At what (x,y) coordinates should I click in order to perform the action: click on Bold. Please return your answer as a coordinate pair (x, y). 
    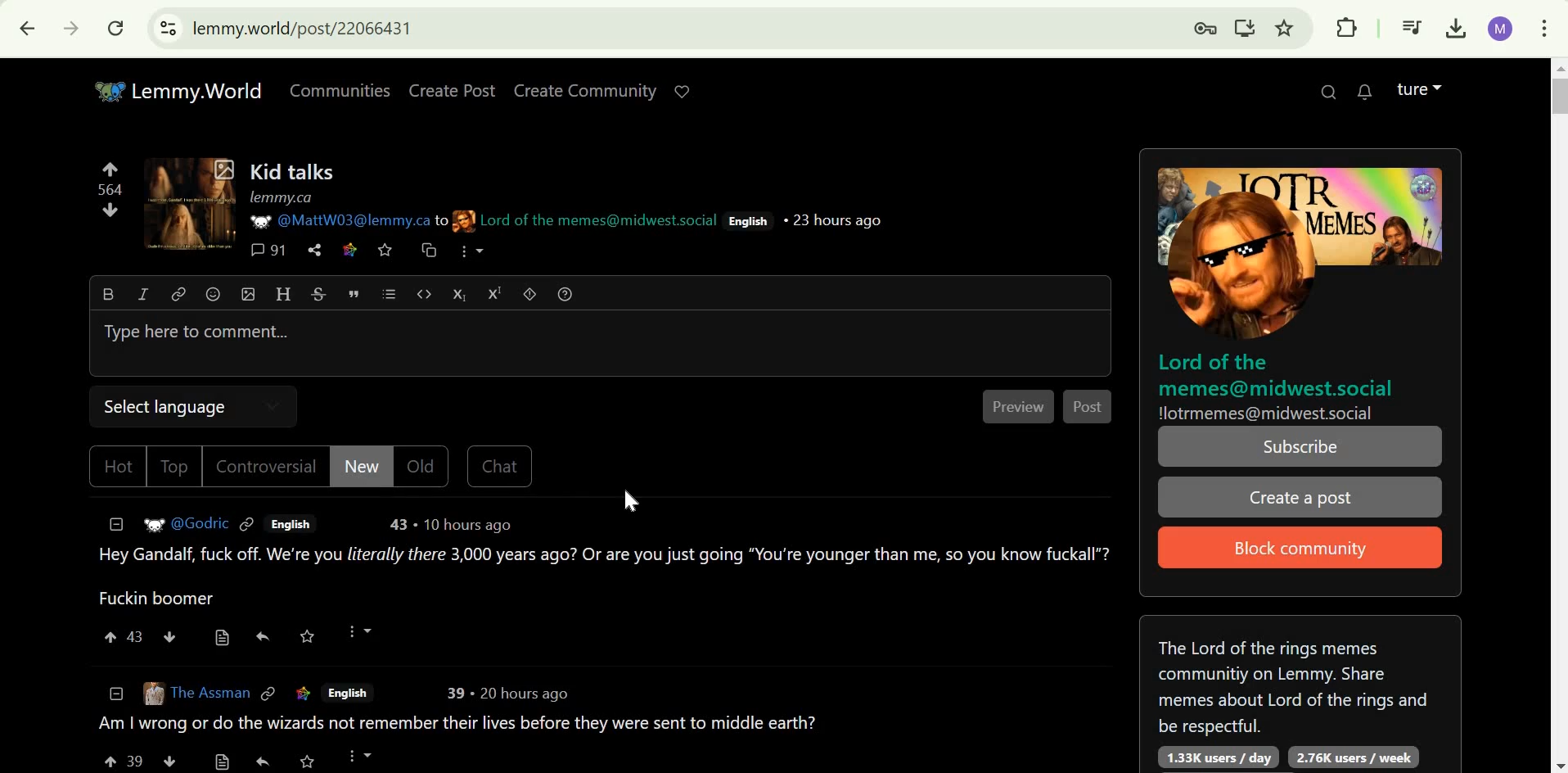
    Looking at the image, I should click on (110, 293).